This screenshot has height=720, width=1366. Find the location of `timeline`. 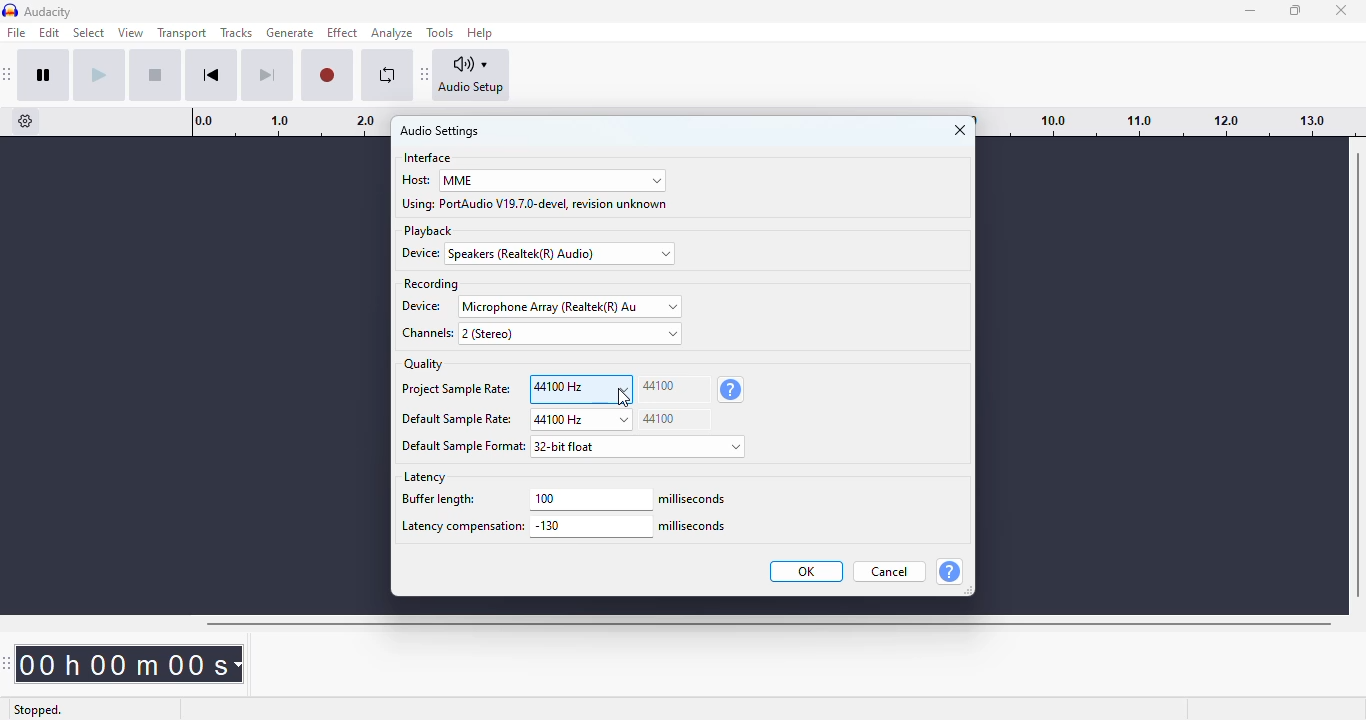

timeline is located at coordinates (1171, 121).